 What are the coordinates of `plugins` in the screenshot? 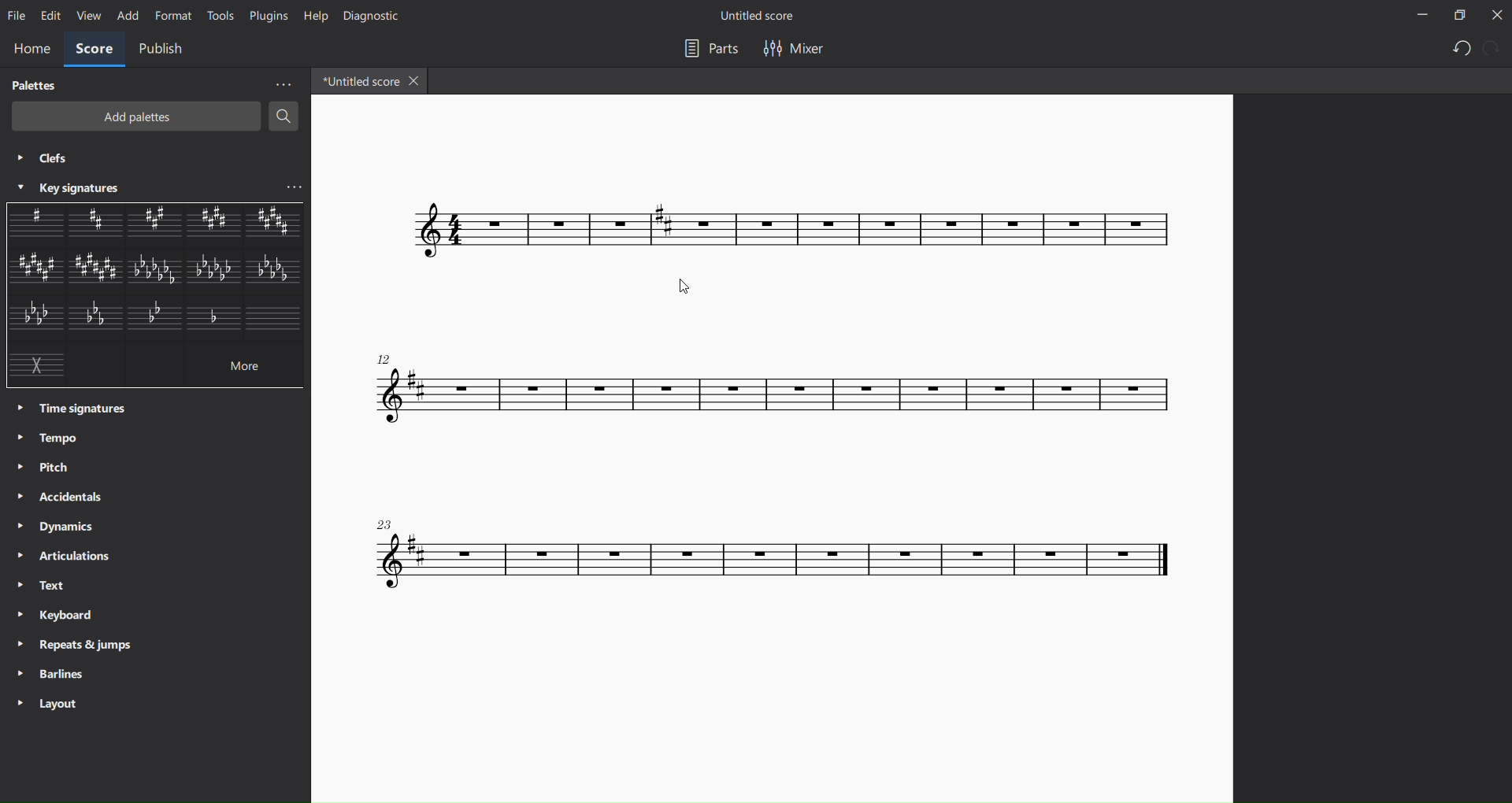 It's located at (266, 16).